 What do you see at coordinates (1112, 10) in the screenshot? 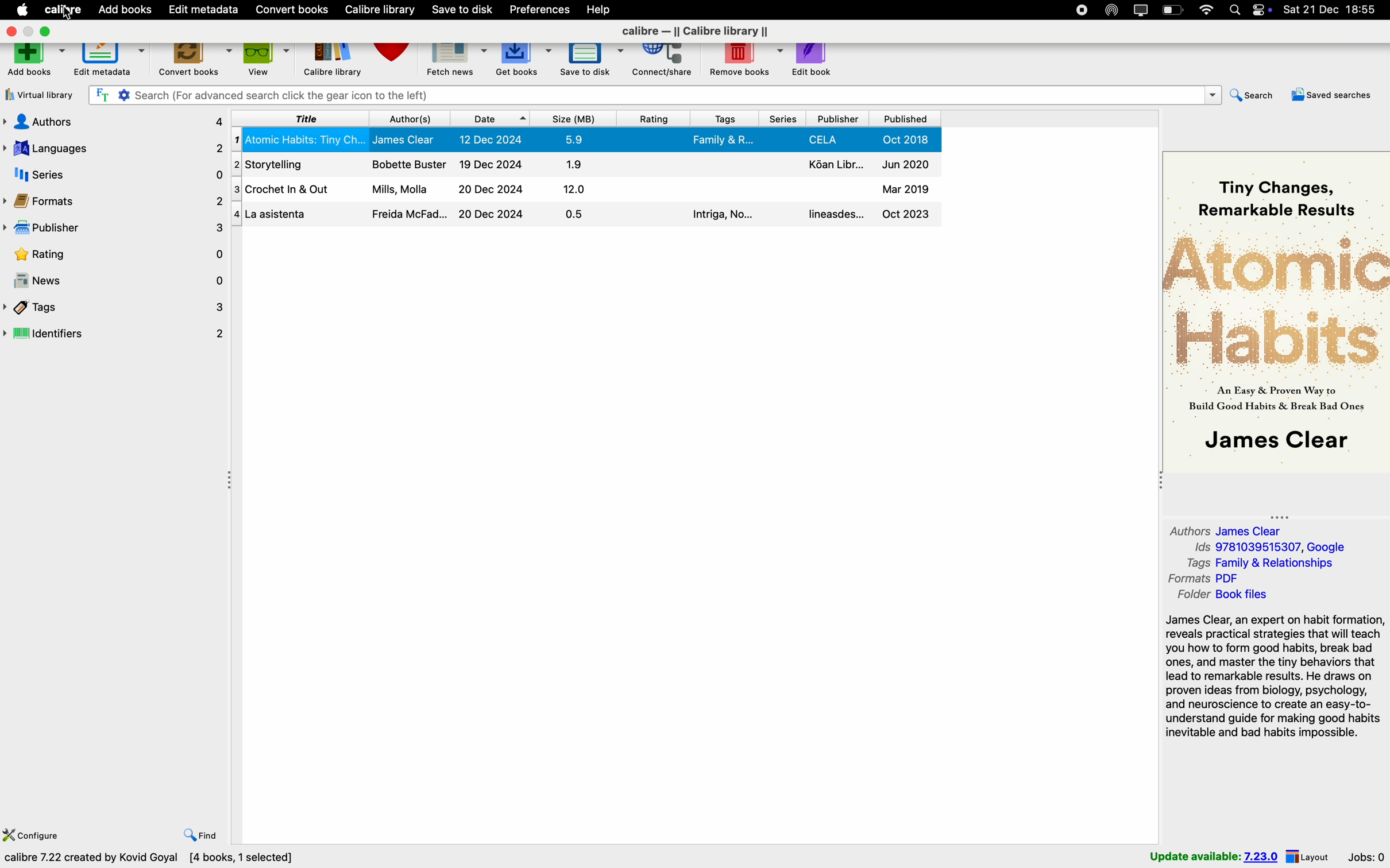
I see `Airdrop` at bounding box center [1112, 10].